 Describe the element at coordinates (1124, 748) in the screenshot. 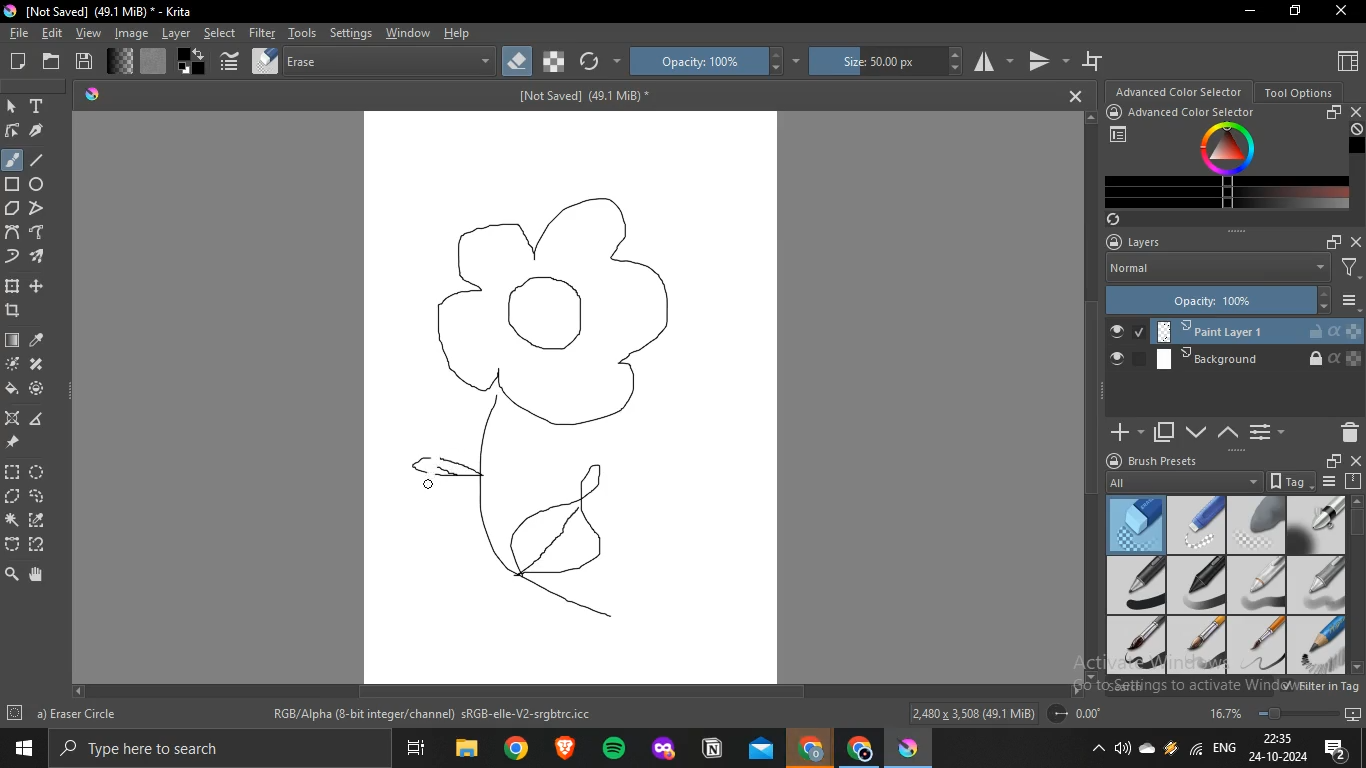

I see `Sound` at that location.